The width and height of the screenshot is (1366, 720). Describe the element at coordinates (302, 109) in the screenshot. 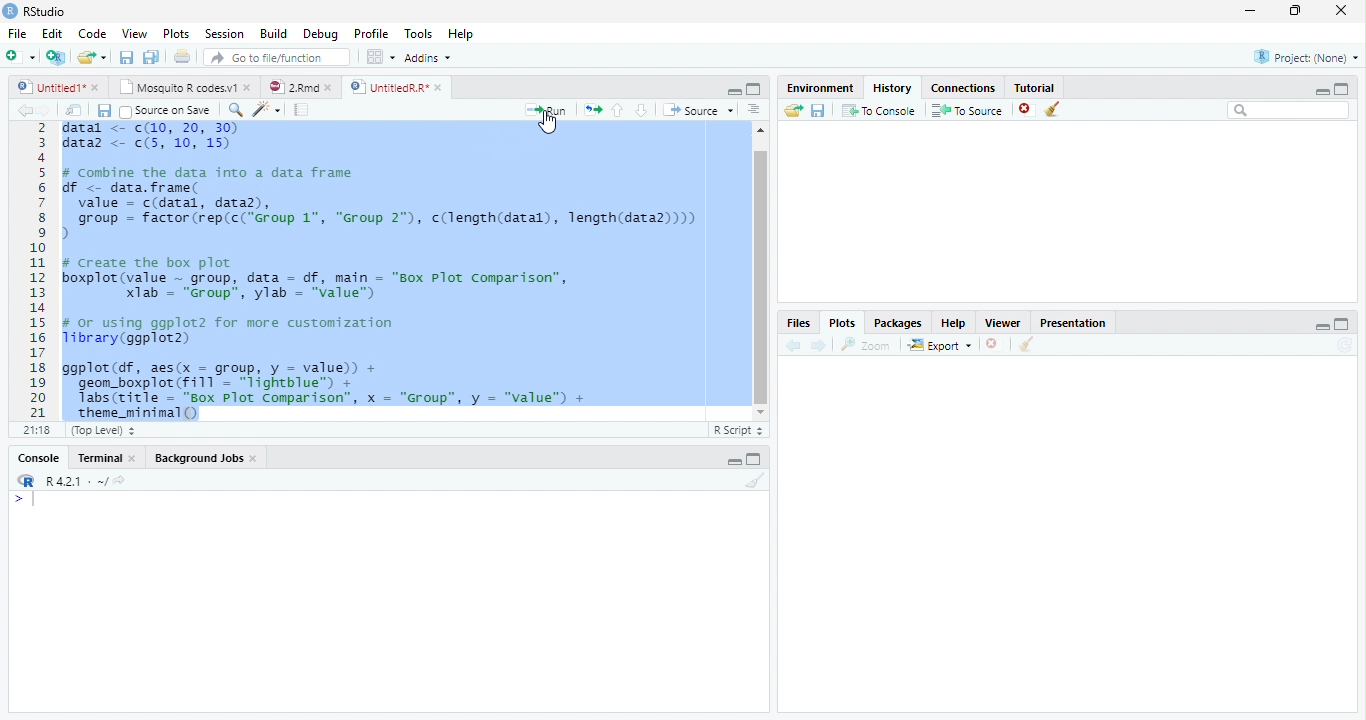

I see `Compile Report` at that location.